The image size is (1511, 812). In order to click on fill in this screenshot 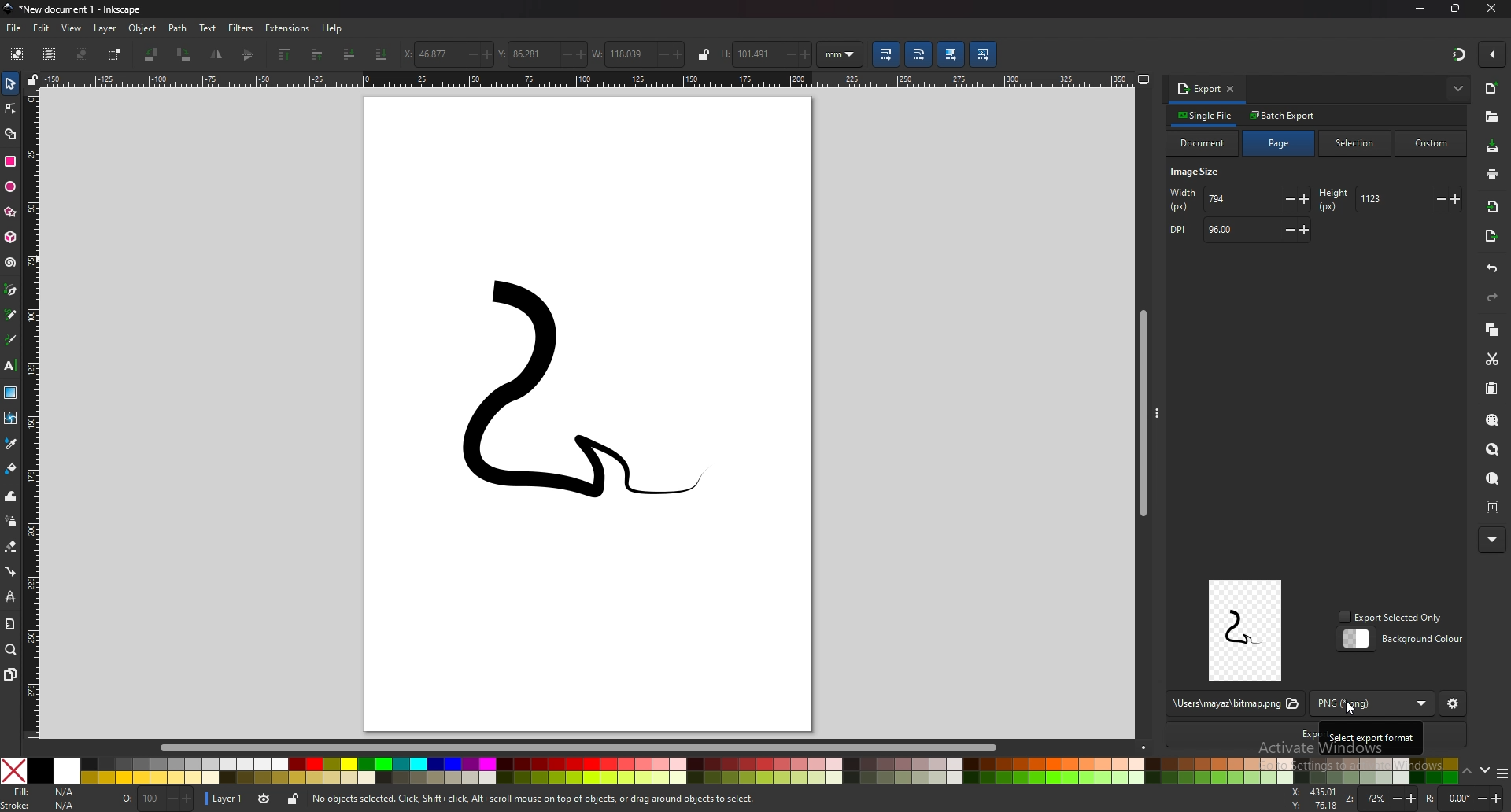, I will do `click(45, 792)`.